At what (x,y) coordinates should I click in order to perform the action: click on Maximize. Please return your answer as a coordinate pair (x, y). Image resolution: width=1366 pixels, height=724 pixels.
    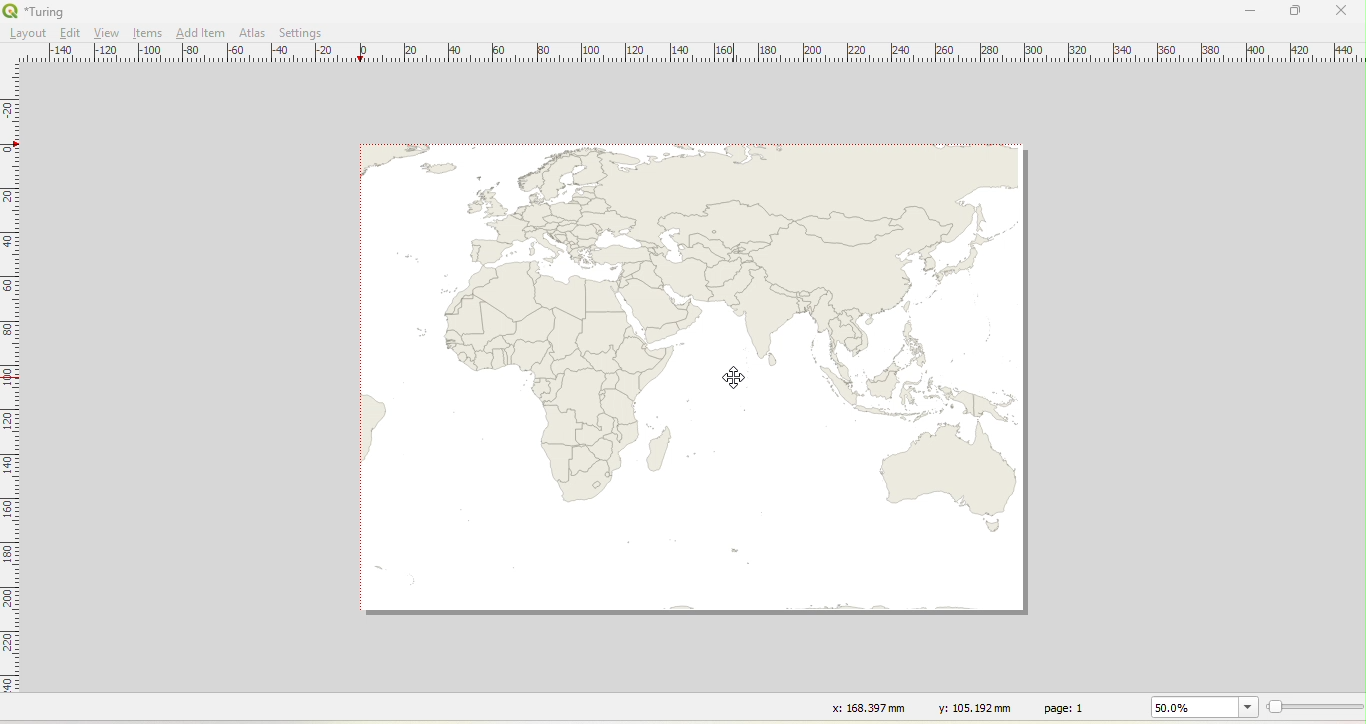
    Looking at the image, I should click on (1296, 12).